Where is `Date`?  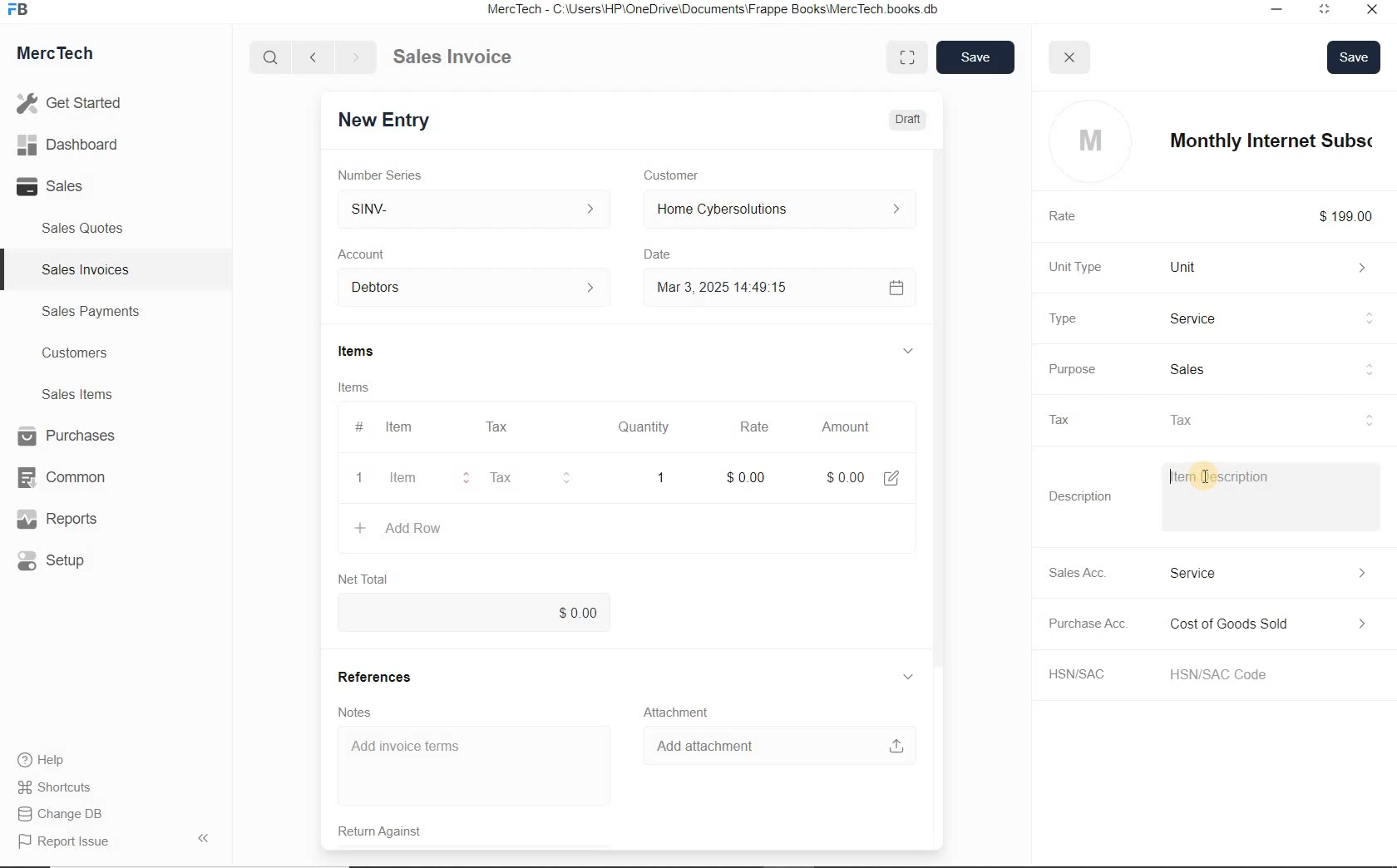 Date is located at coordinates (661, 254).